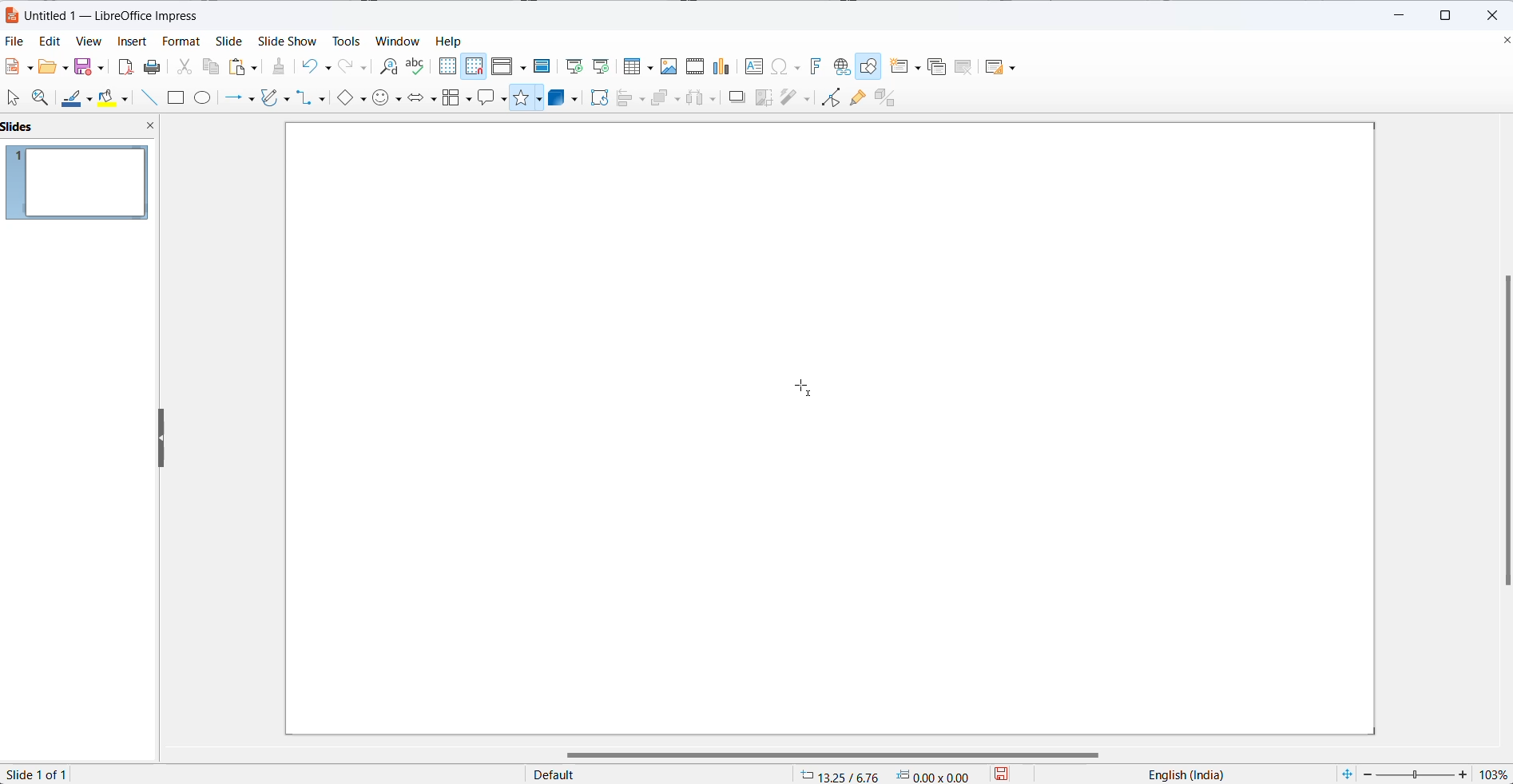 Image resolution: width=1513 pixels, height=784 pixels. What do you see at coordinates (387, 68) in the screenshot?
I see `find and replace` at bounding box center [387, 68].